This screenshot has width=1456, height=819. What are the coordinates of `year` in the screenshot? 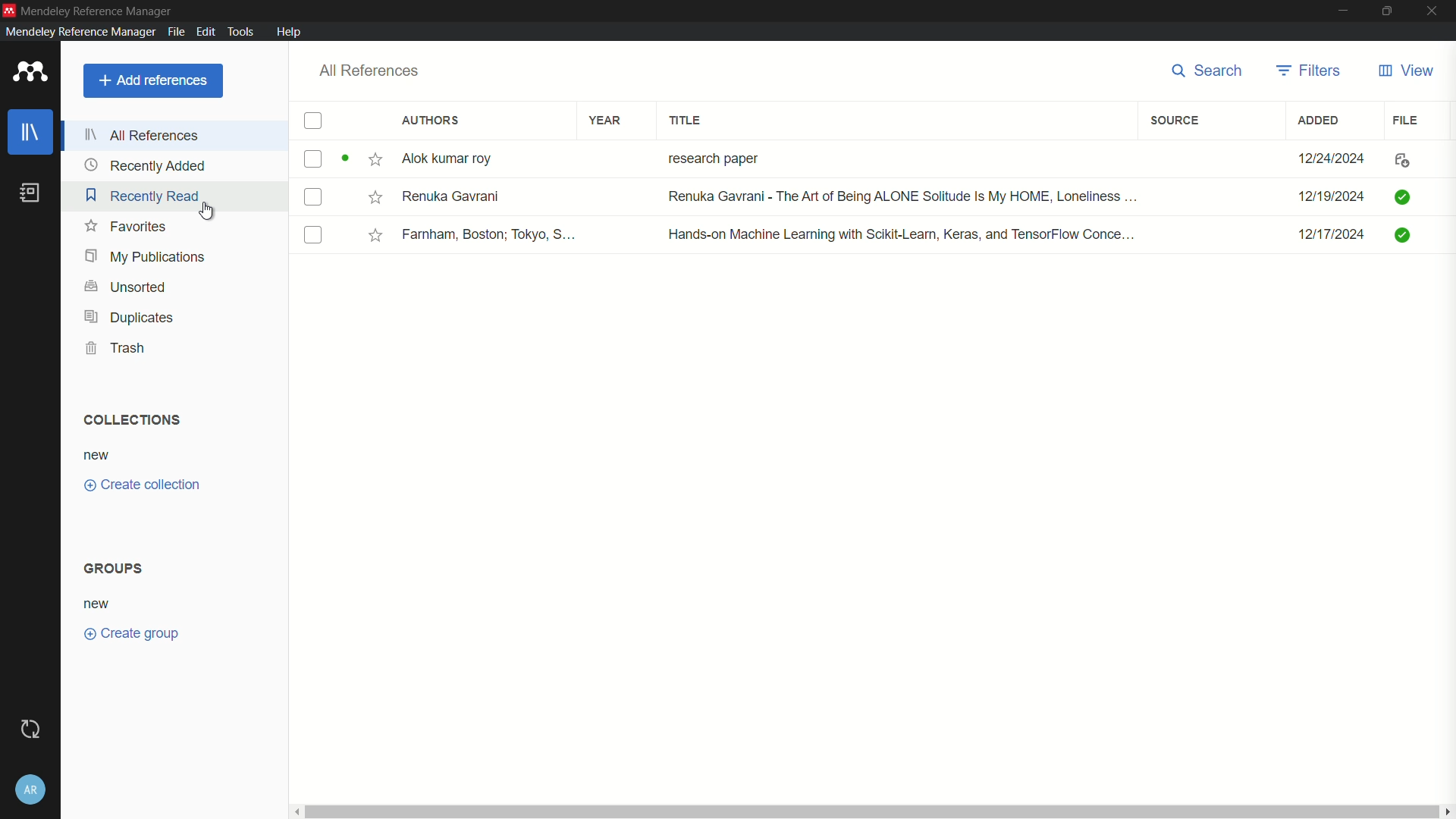 It's located at (607, 119).